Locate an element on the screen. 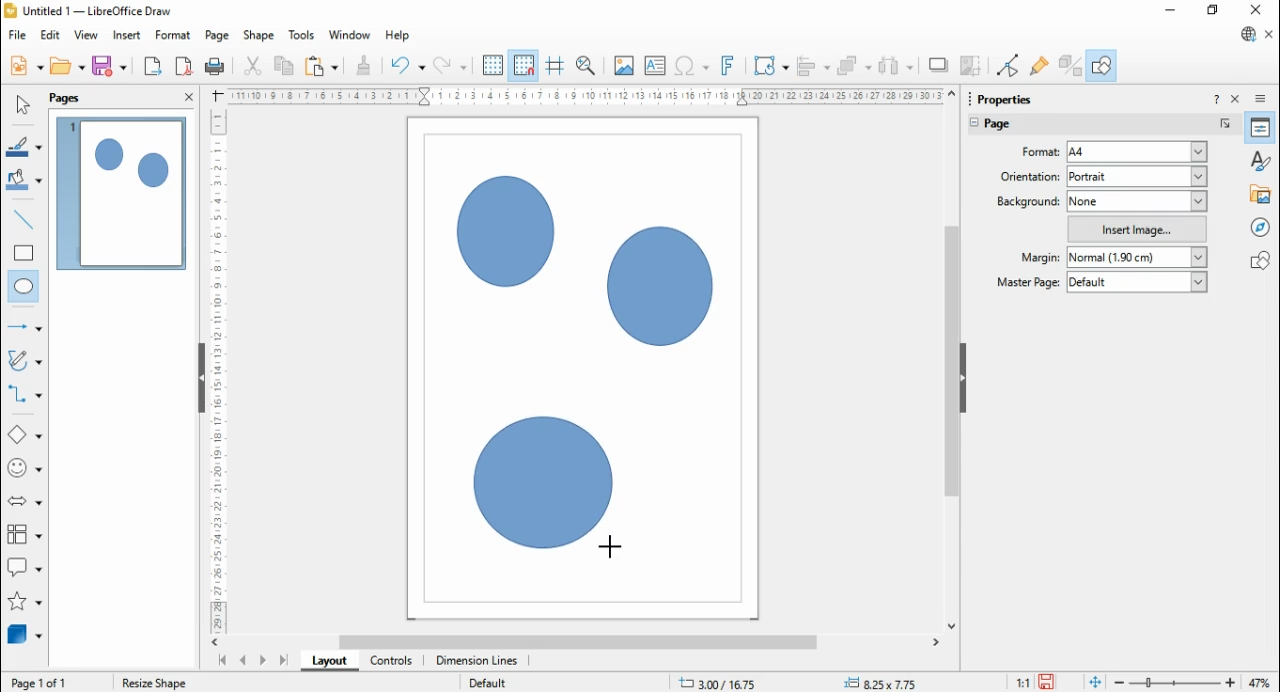 The height and width of the screenshot is (692, 1280). layout is located at coordinates (328, 660).